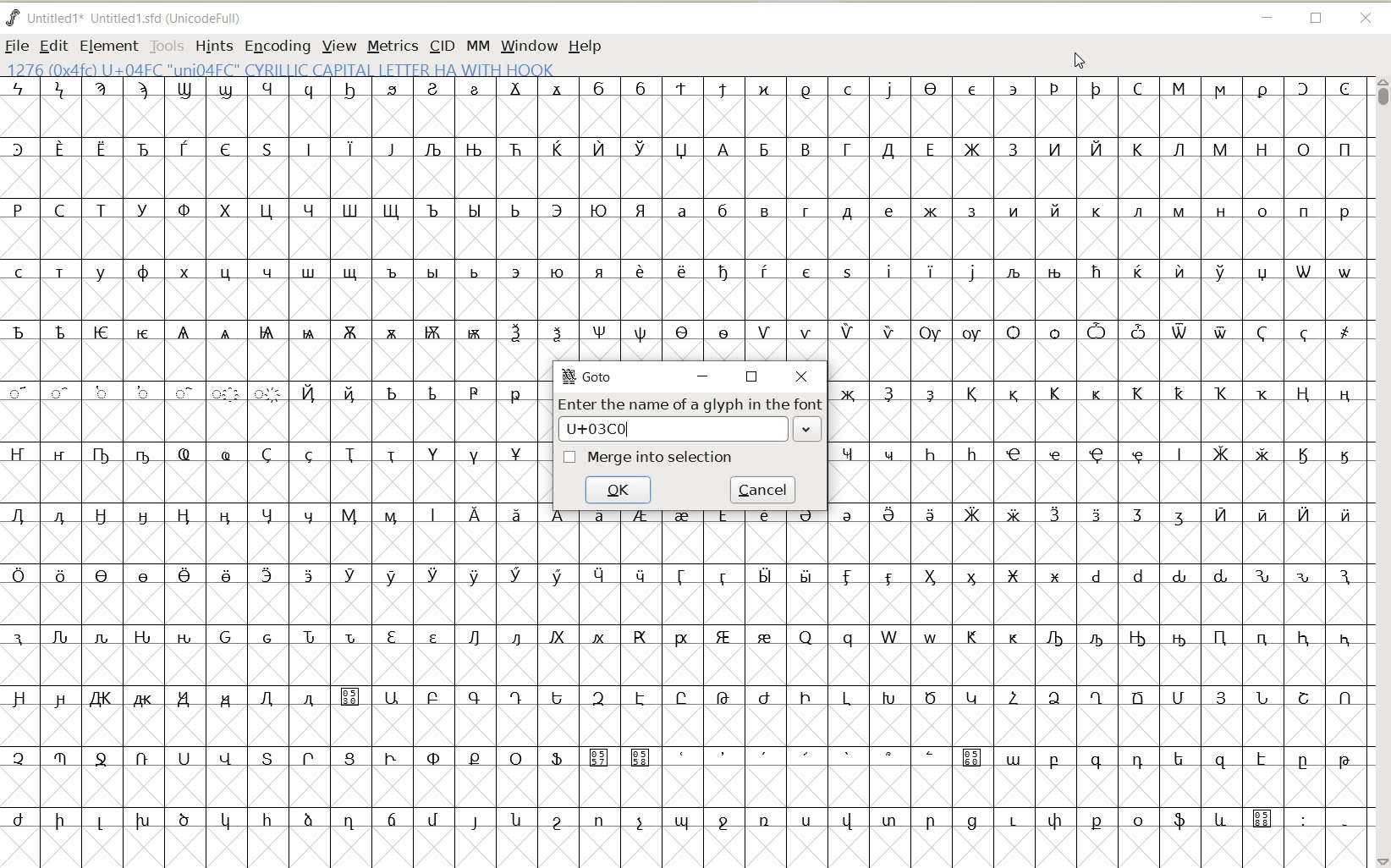 This screenshot has width=1391, height=868. I want to click on glyph characters, so click(1097, 596).